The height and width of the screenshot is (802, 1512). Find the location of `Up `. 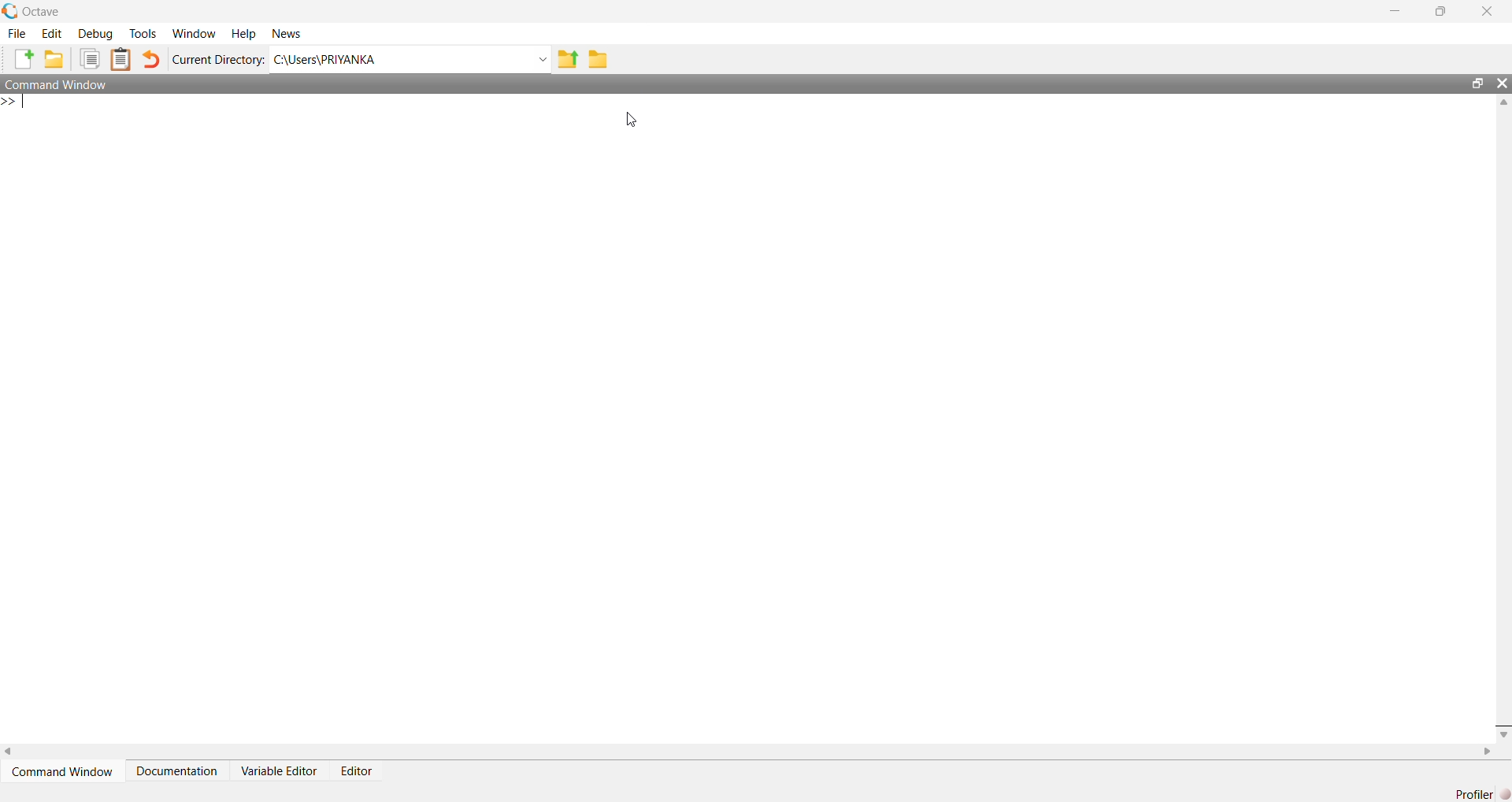

Up  is located at coordinates (1503, 105).